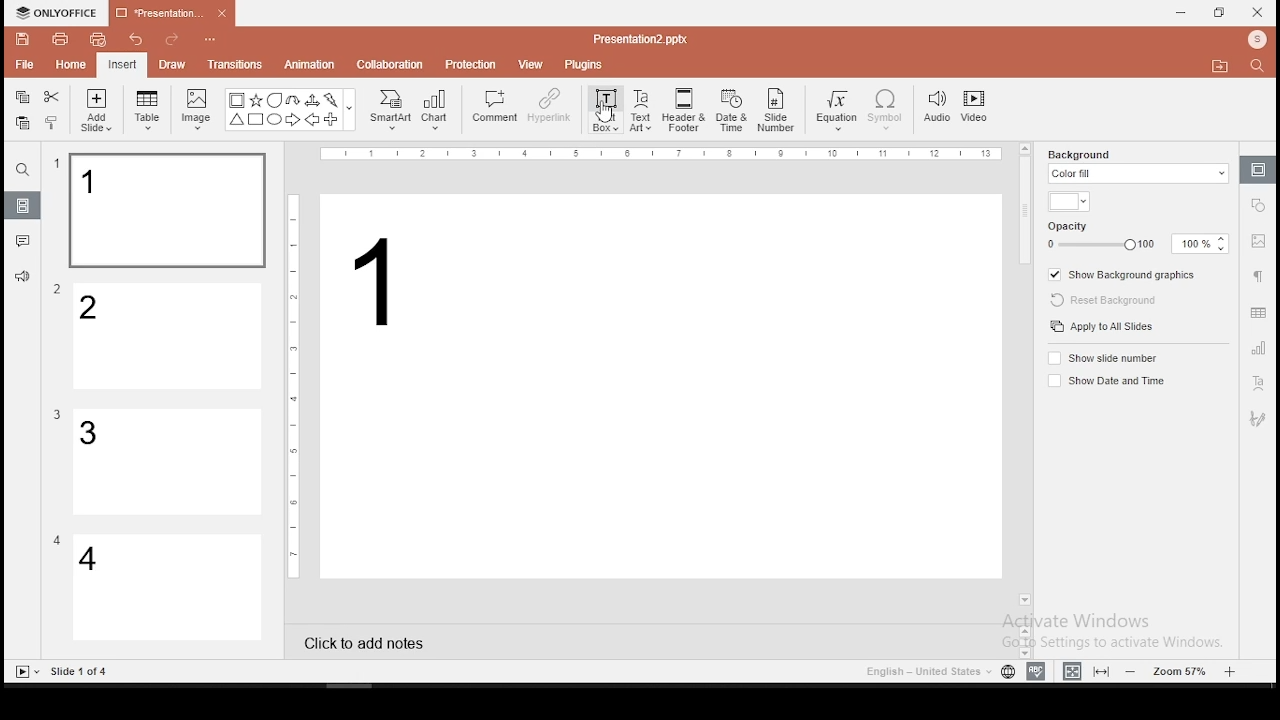 The width and height of the screenshot is (1280, 720). What do you see at coordinates (24, 66) in the screenshot?
I see `file` at bounding box center [24, 66].